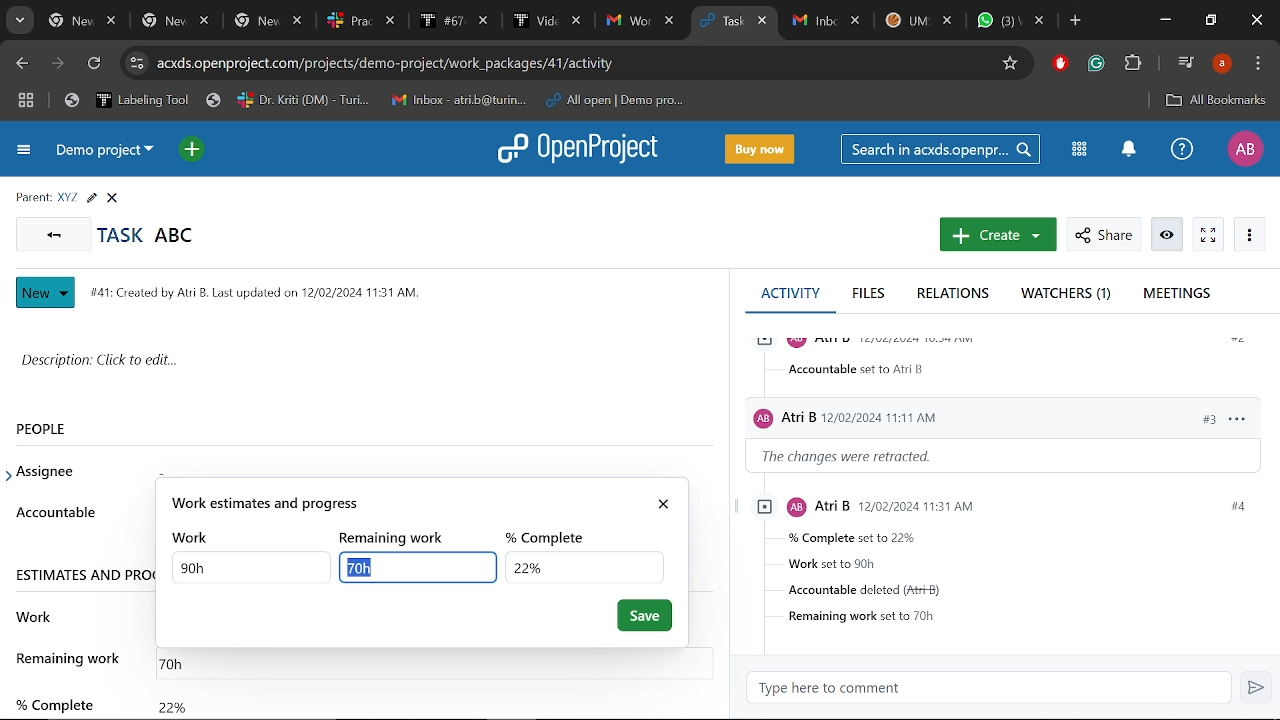 The width and height of the screenshot is (1280, 720). What do you see at coordinates (191, 149) in the screenshot?
I see `Open quick add menu` at bounding box center [191, 149].